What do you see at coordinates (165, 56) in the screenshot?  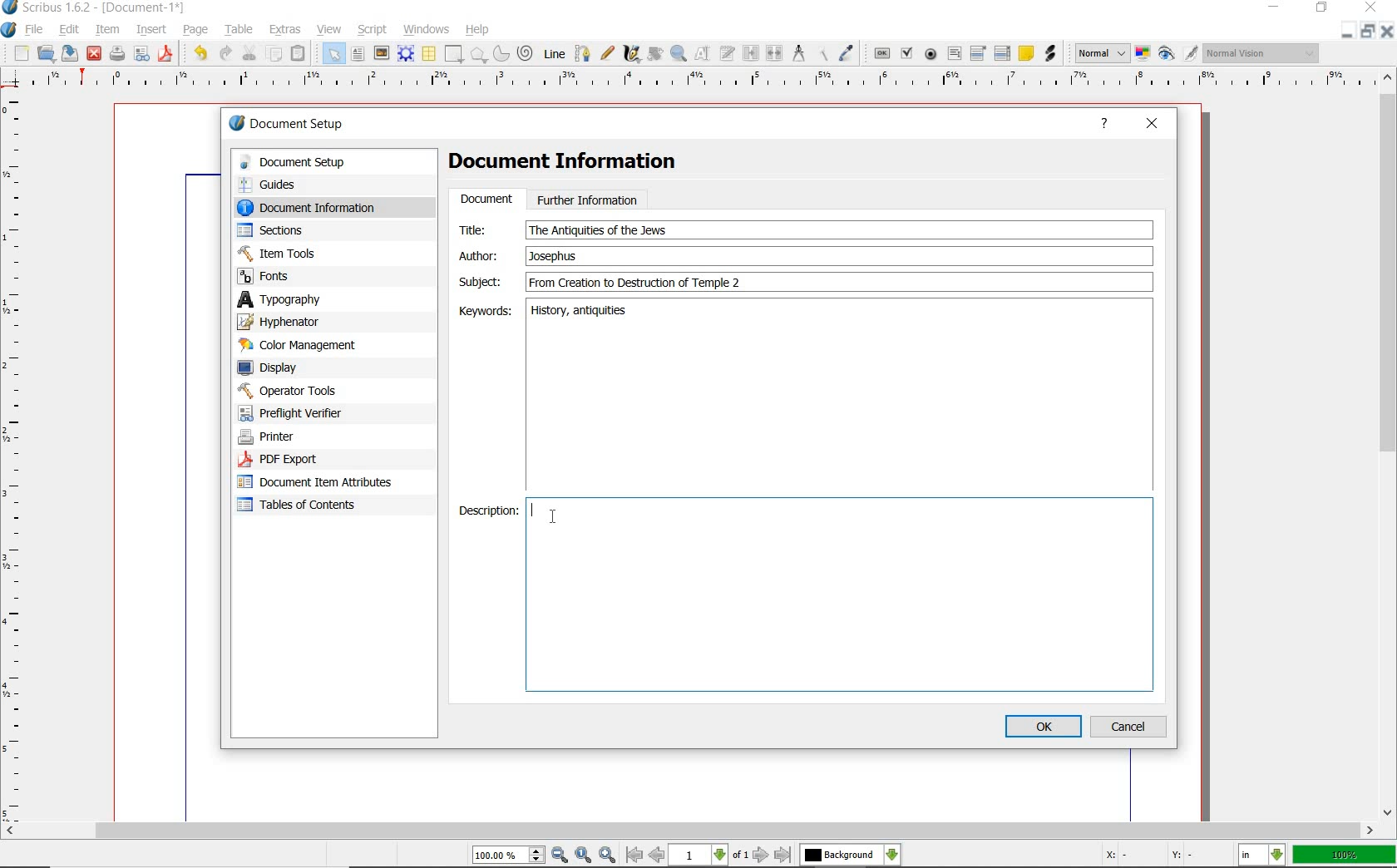 I see `save as pdf` at bounding box center [165, 56].